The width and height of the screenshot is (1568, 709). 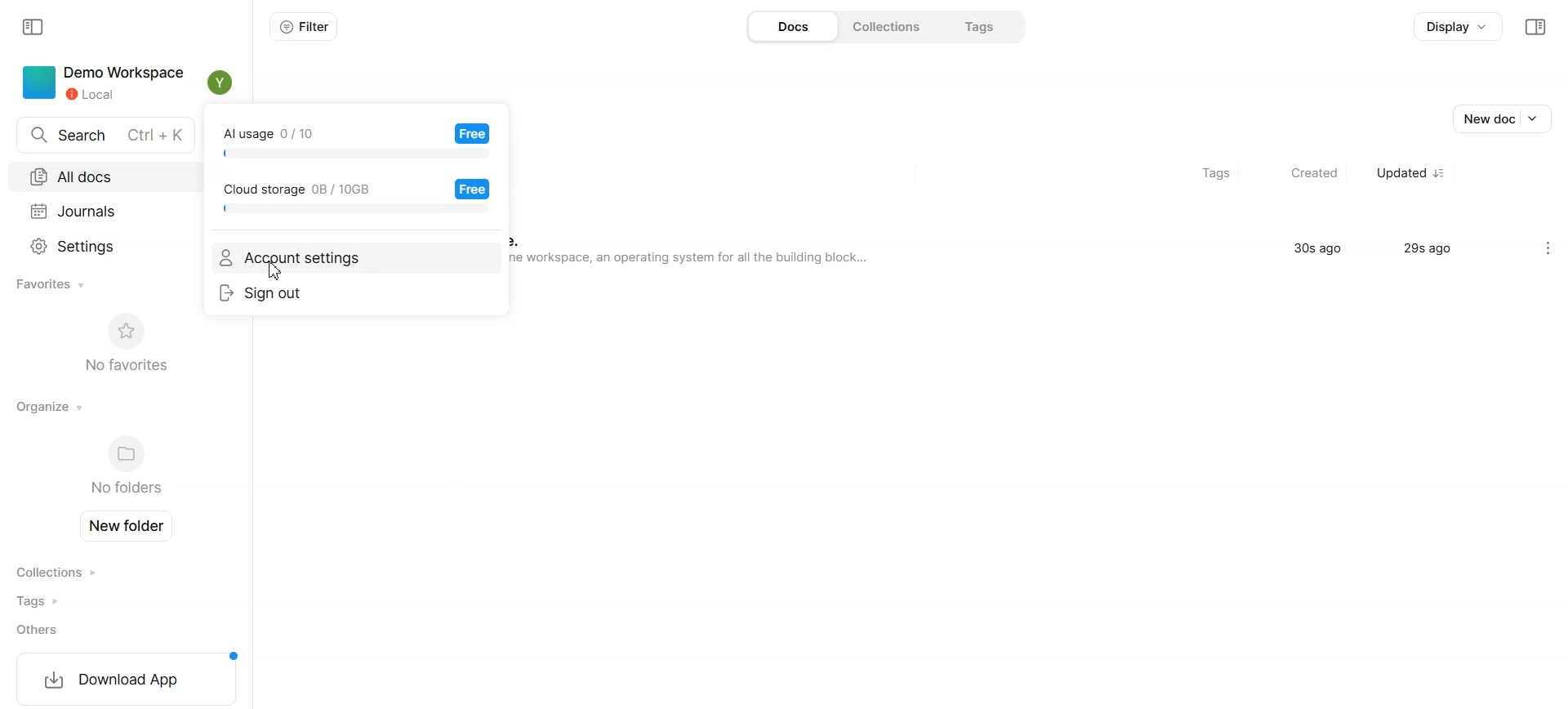 What do you see at coordinates (100, 82) in the screenshot?
I see `Demo Workspace` at bounding box center [100, 82].